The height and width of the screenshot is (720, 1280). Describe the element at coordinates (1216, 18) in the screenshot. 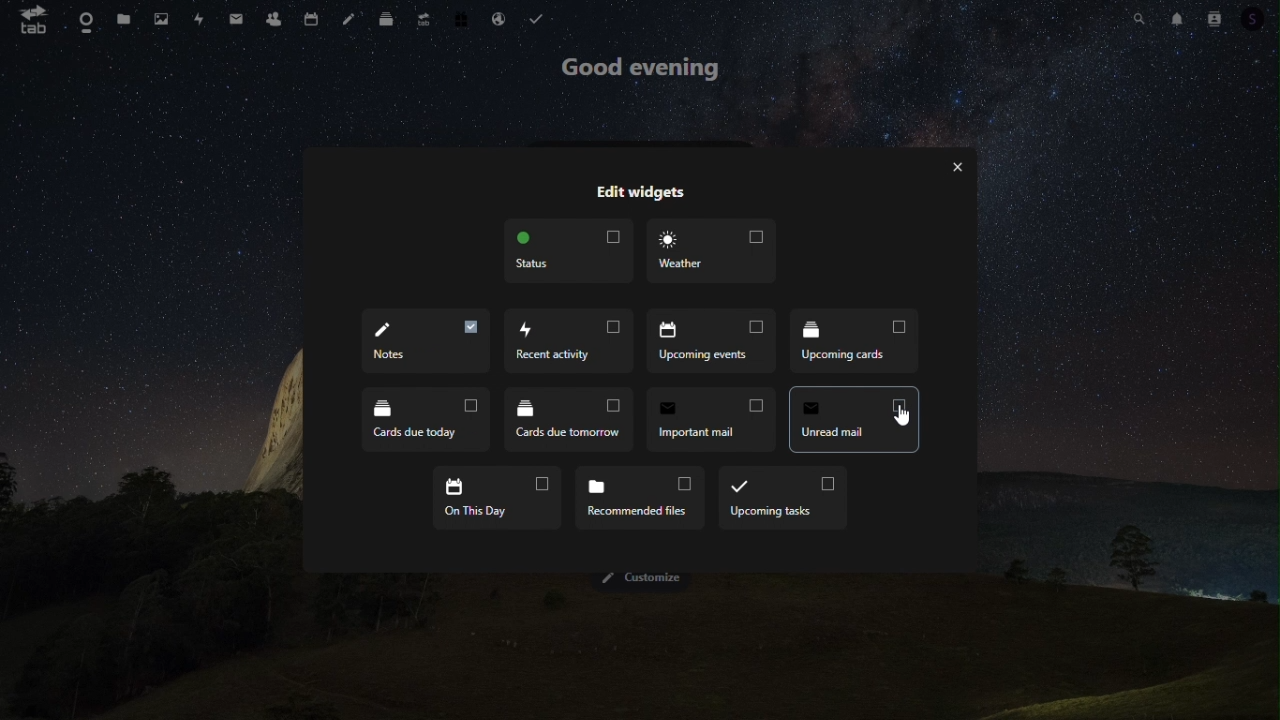

I see `Contacts` at that location.